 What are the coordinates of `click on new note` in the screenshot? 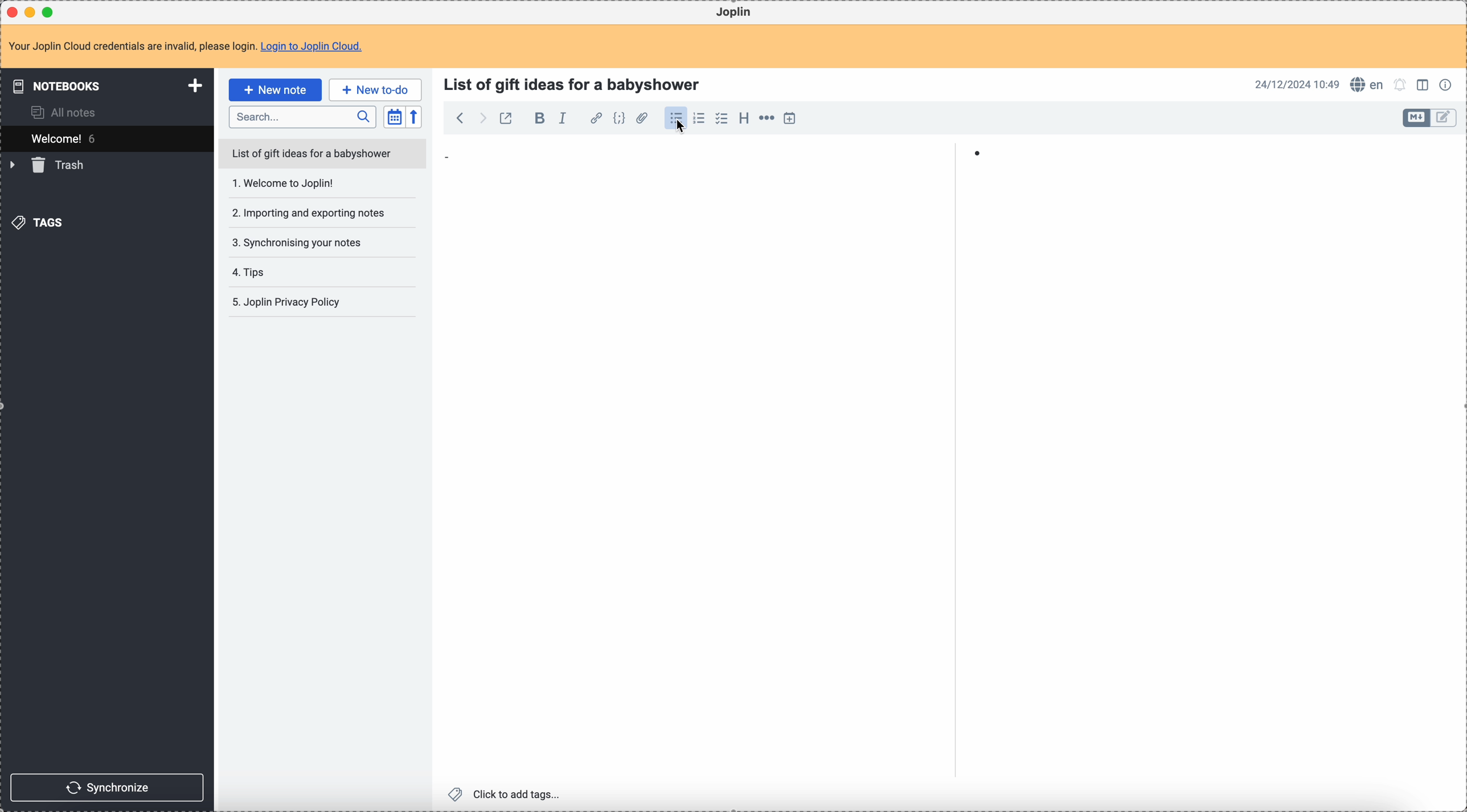 It's located at (274, 90).